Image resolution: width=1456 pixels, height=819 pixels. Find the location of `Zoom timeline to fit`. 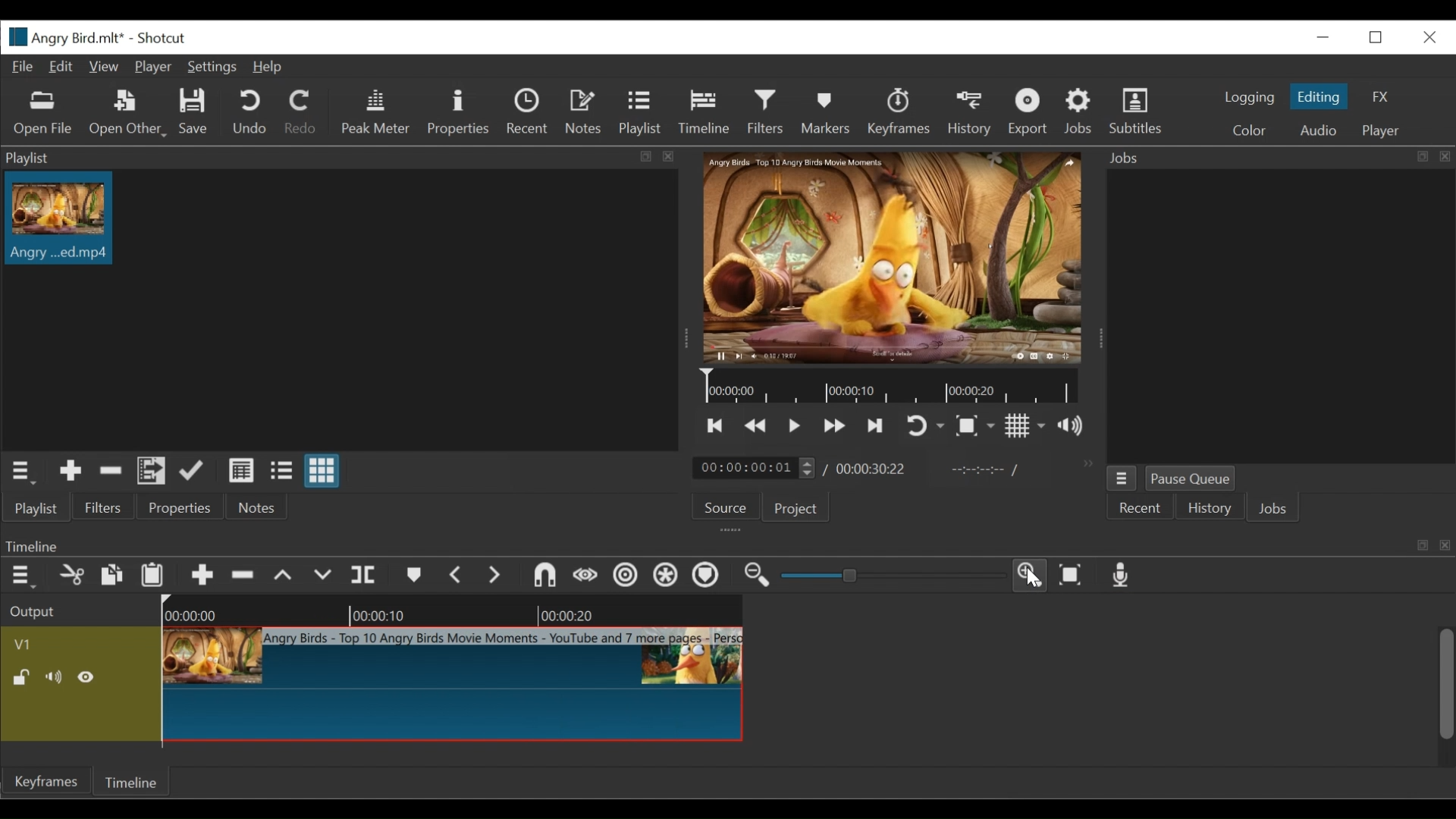

Zoom timeline to fit is located at coordinates (1073, 575).